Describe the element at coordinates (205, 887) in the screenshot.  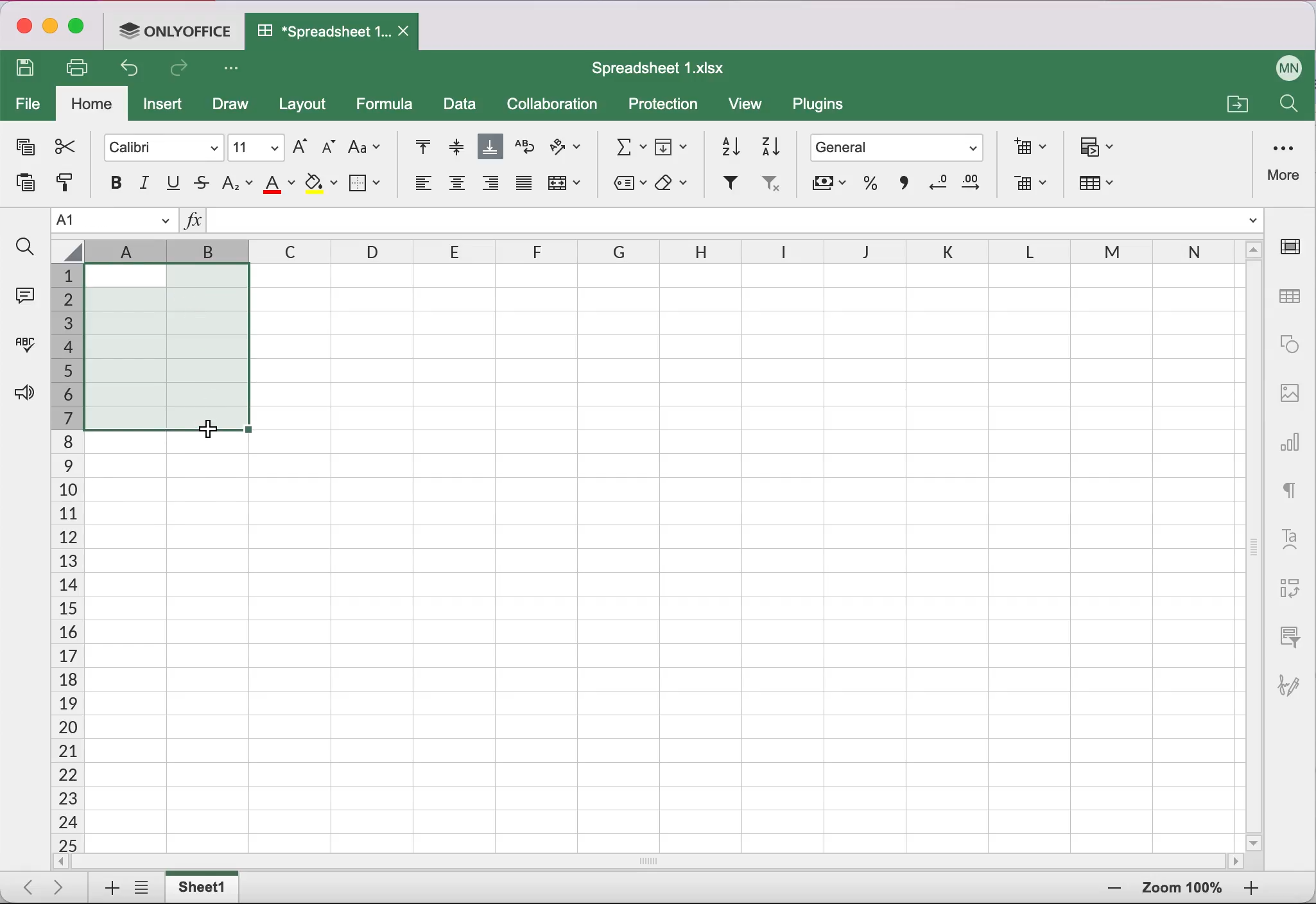
I see `sheet tab` at that location.